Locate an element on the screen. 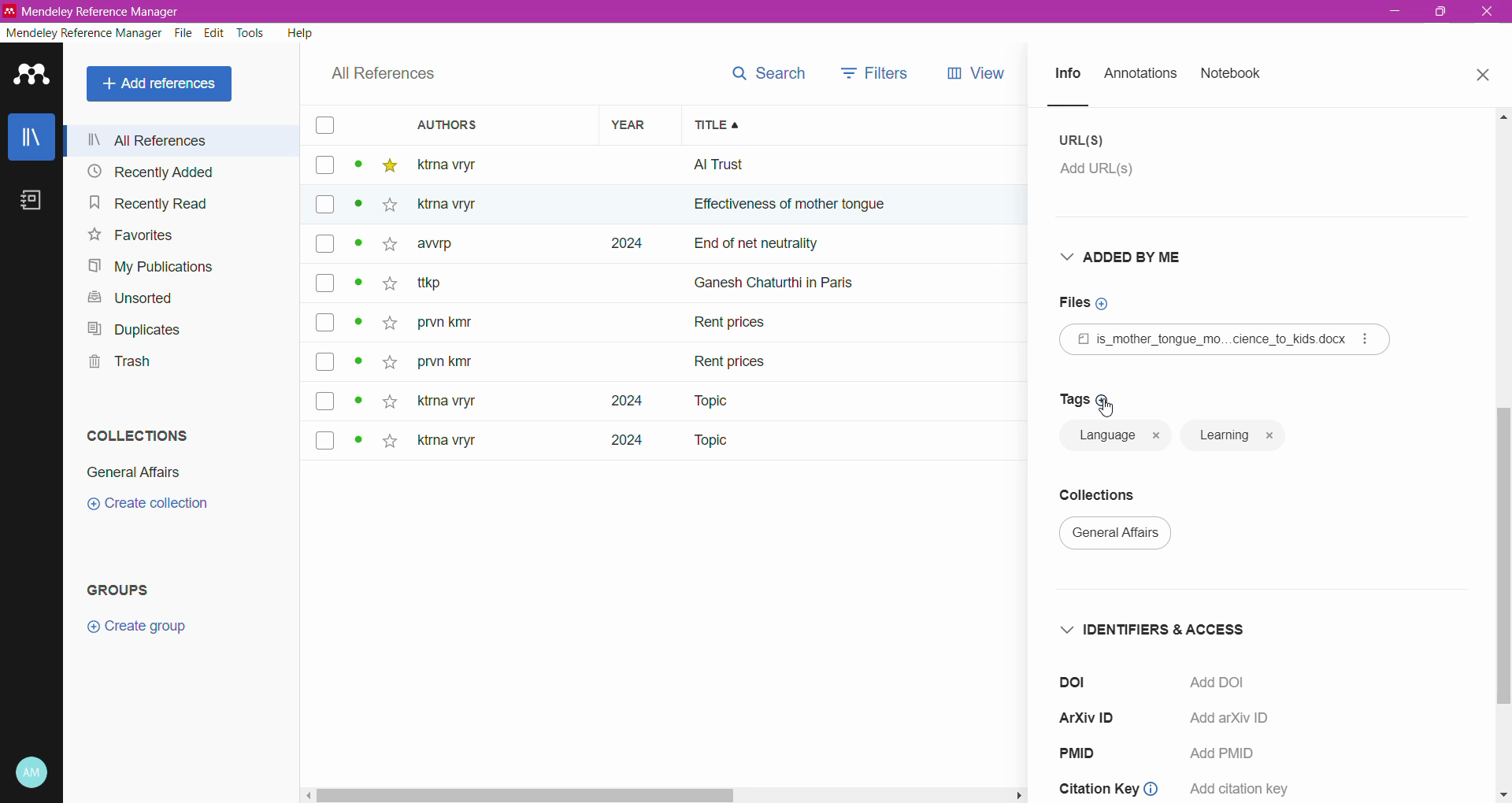 The height and width of the screenshot is (803, 1512). 2024 is located at coordinates (613, 401).